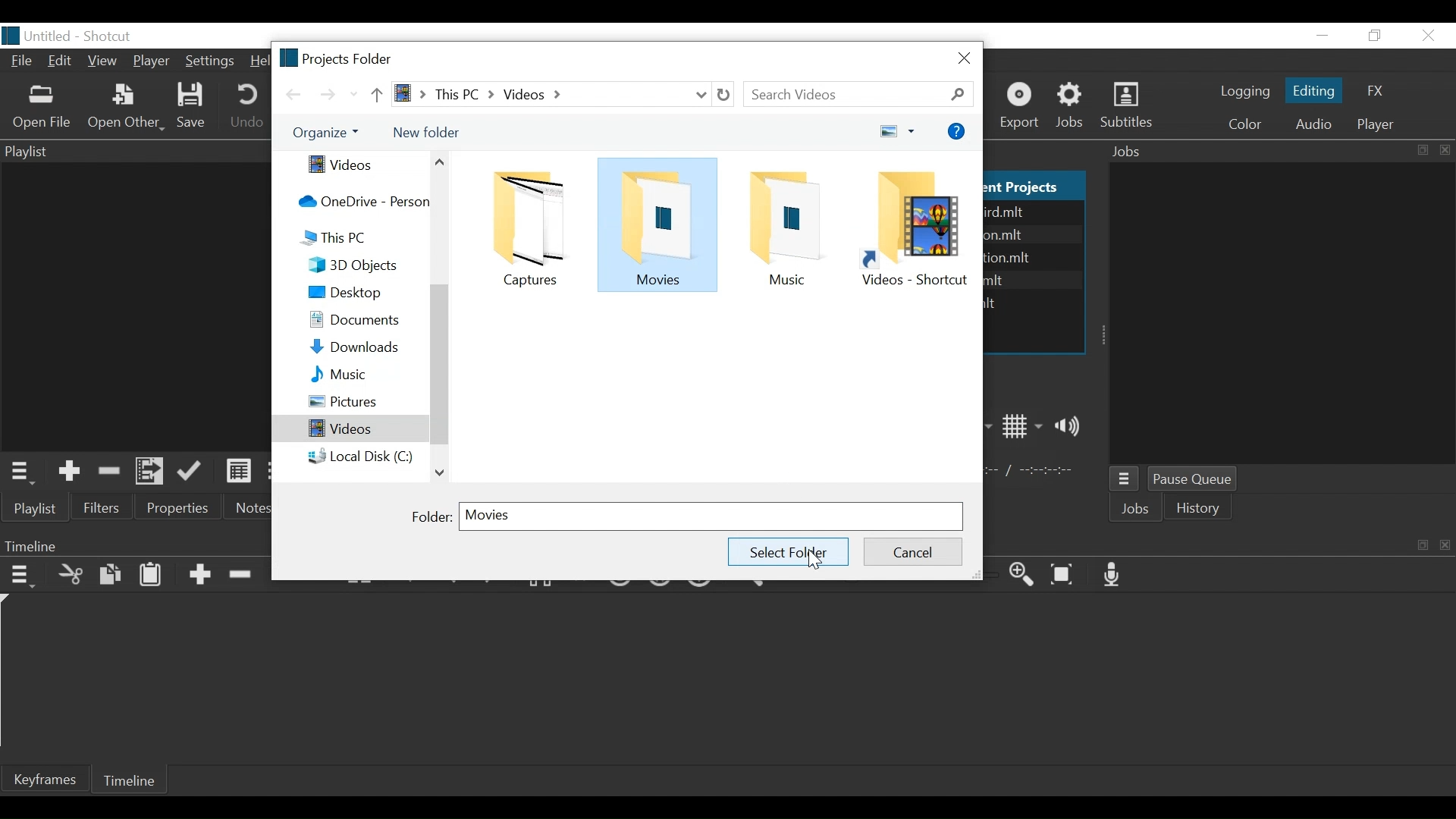 The height and width of the screenshot is (819, 1456). What do you see at coordinates (956, 133) in the screenshot?
I see `Help` at bounding box center [956, 133].